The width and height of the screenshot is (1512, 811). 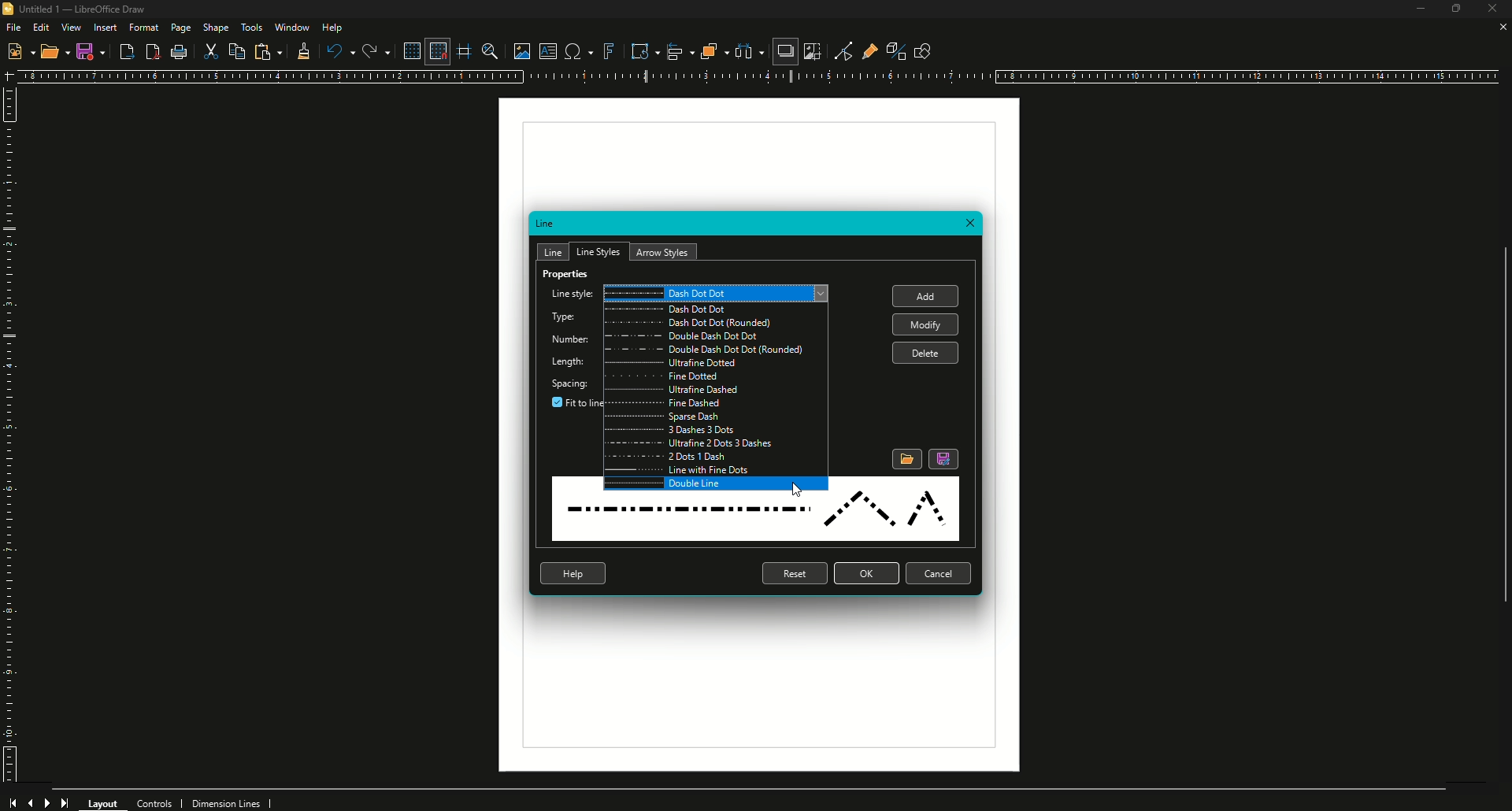 I want to click on Shape, so click(x=217, y=28).